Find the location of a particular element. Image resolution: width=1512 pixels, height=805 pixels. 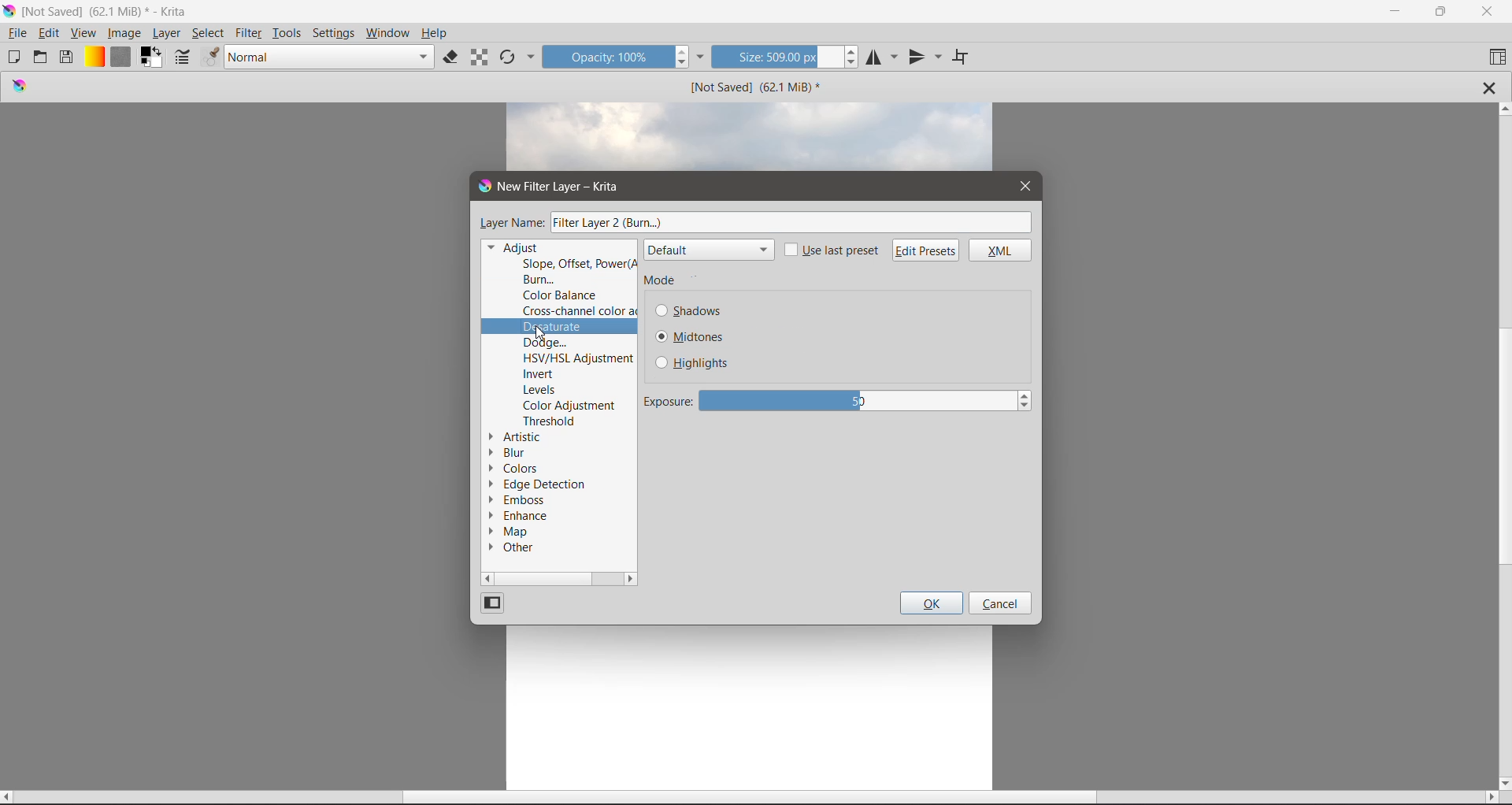

Blending mode is located at coordinates (328, 57).